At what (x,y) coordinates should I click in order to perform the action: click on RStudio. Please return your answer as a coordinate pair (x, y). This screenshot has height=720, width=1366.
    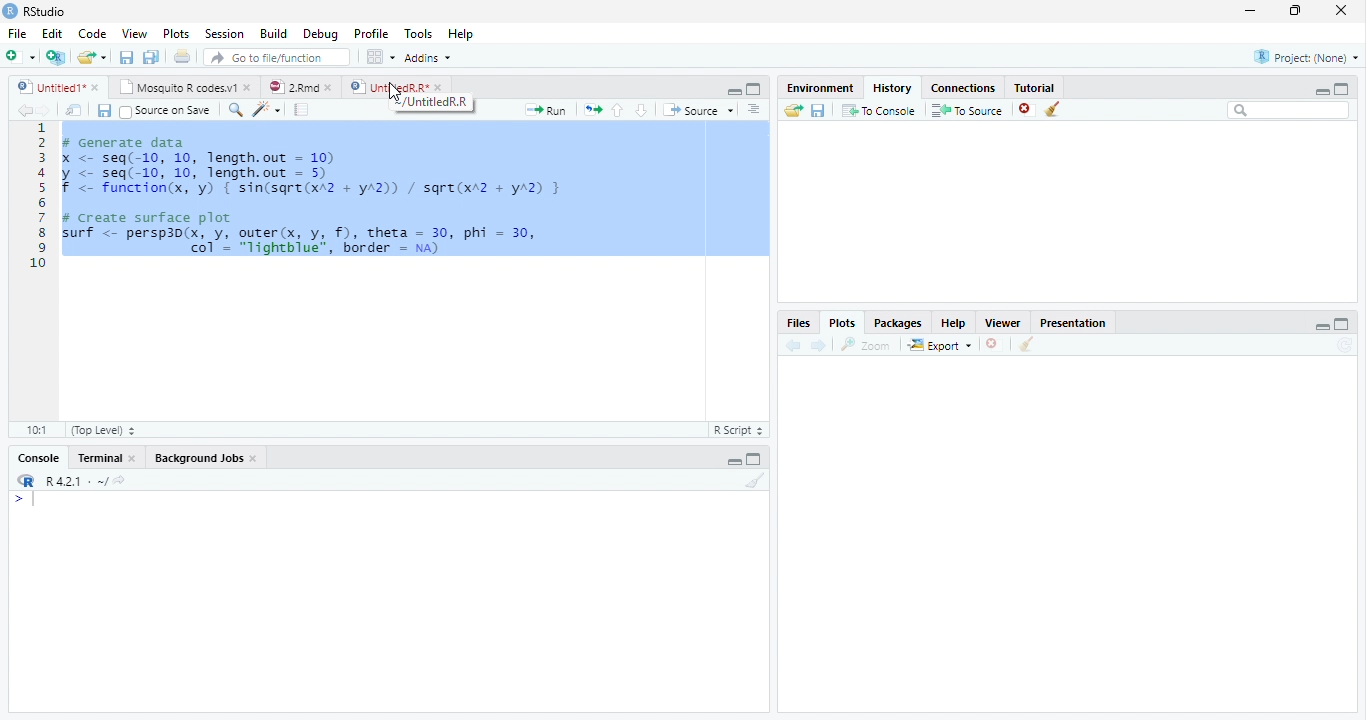
    Looking at the image, I should click on (34, 11).